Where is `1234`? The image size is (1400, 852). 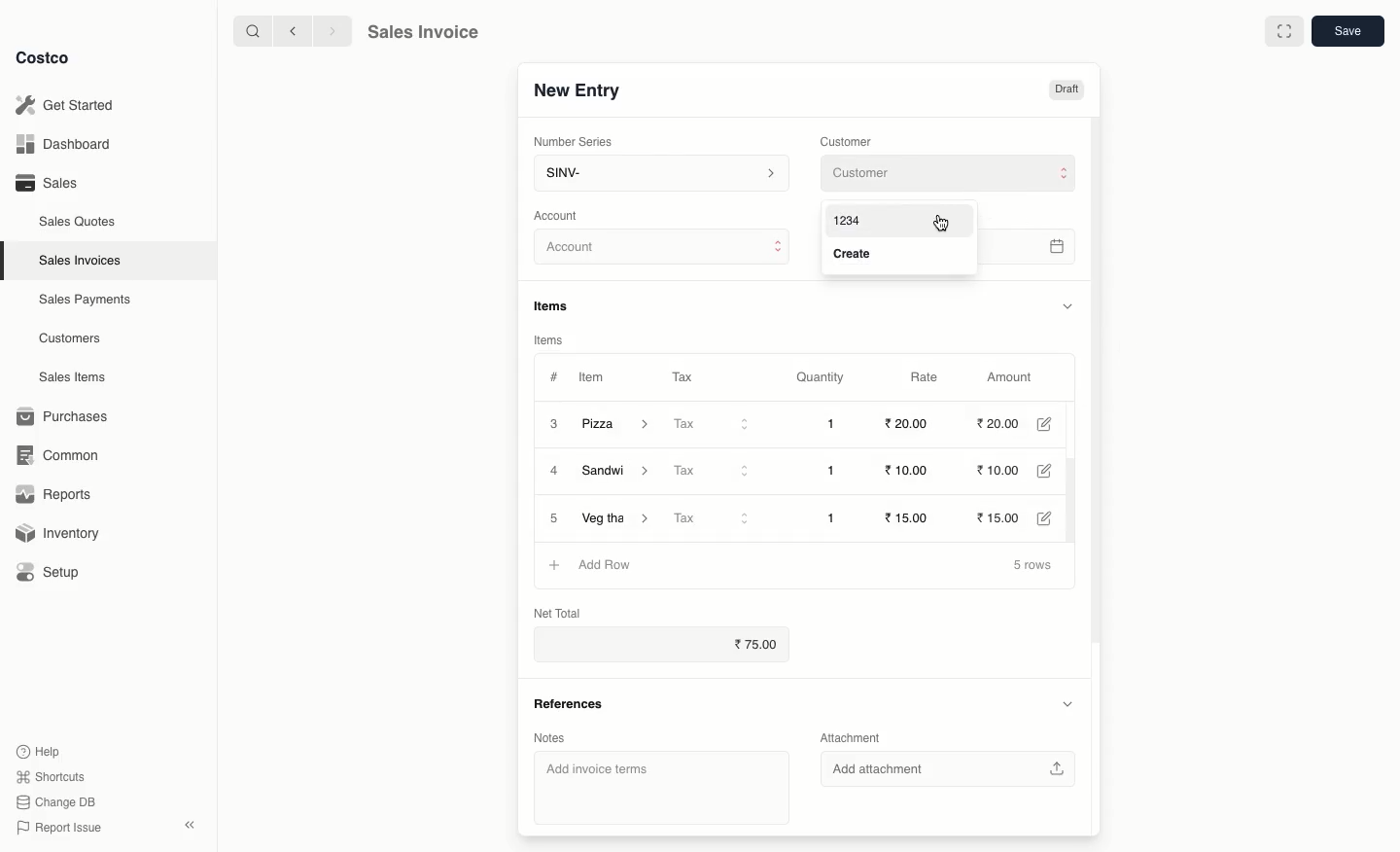 1234 is located at coordinates (847, 219).